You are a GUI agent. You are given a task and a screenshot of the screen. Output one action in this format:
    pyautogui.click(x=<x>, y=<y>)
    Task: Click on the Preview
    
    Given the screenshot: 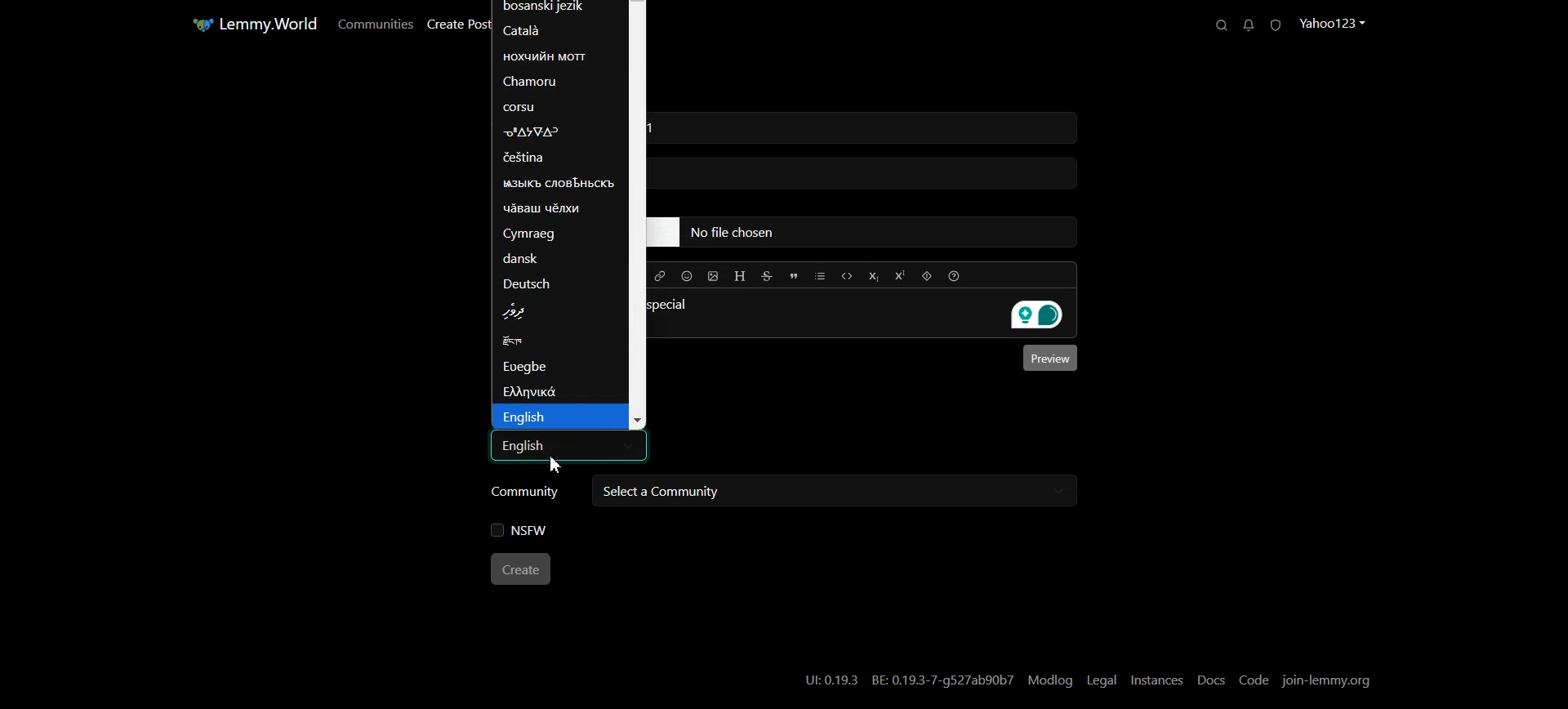 What is the action you would take?
    pyautogui.click(x=1051, y=359)
    